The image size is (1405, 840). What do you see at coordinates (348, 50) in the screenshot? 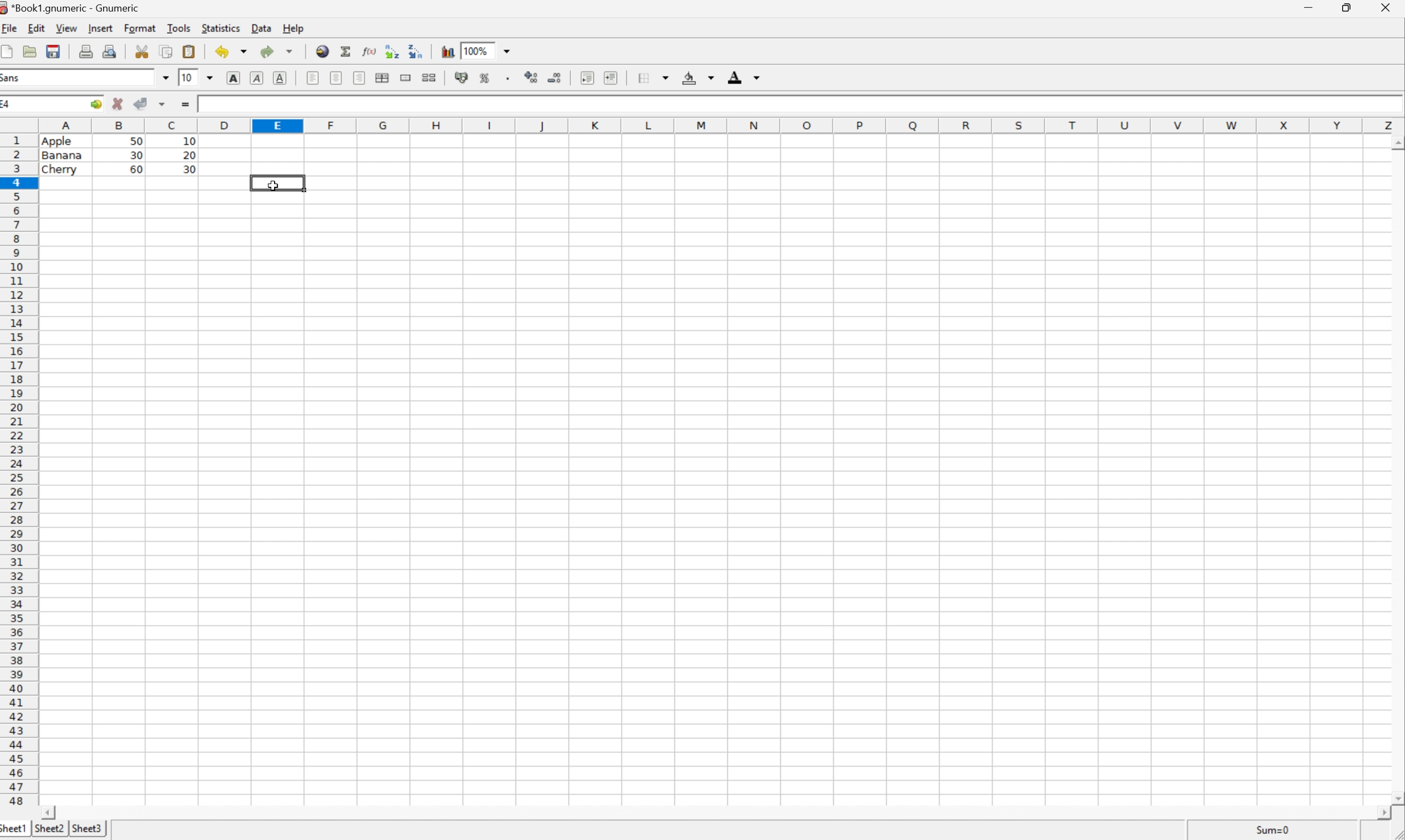
I see `sum in current cell` at bounding box center [348, 50].